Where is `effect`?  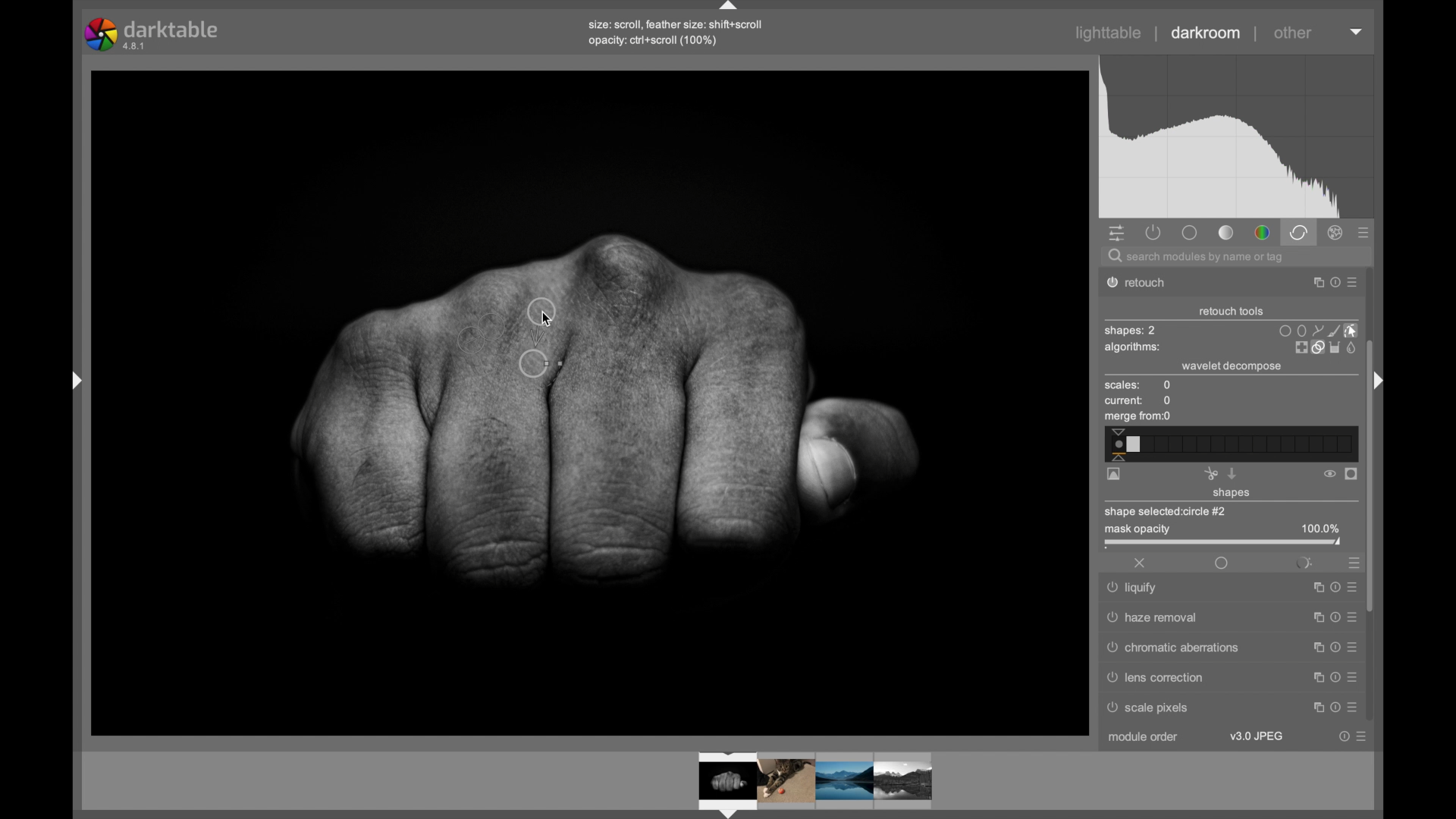 effect is located at coordinates (1336, 233).